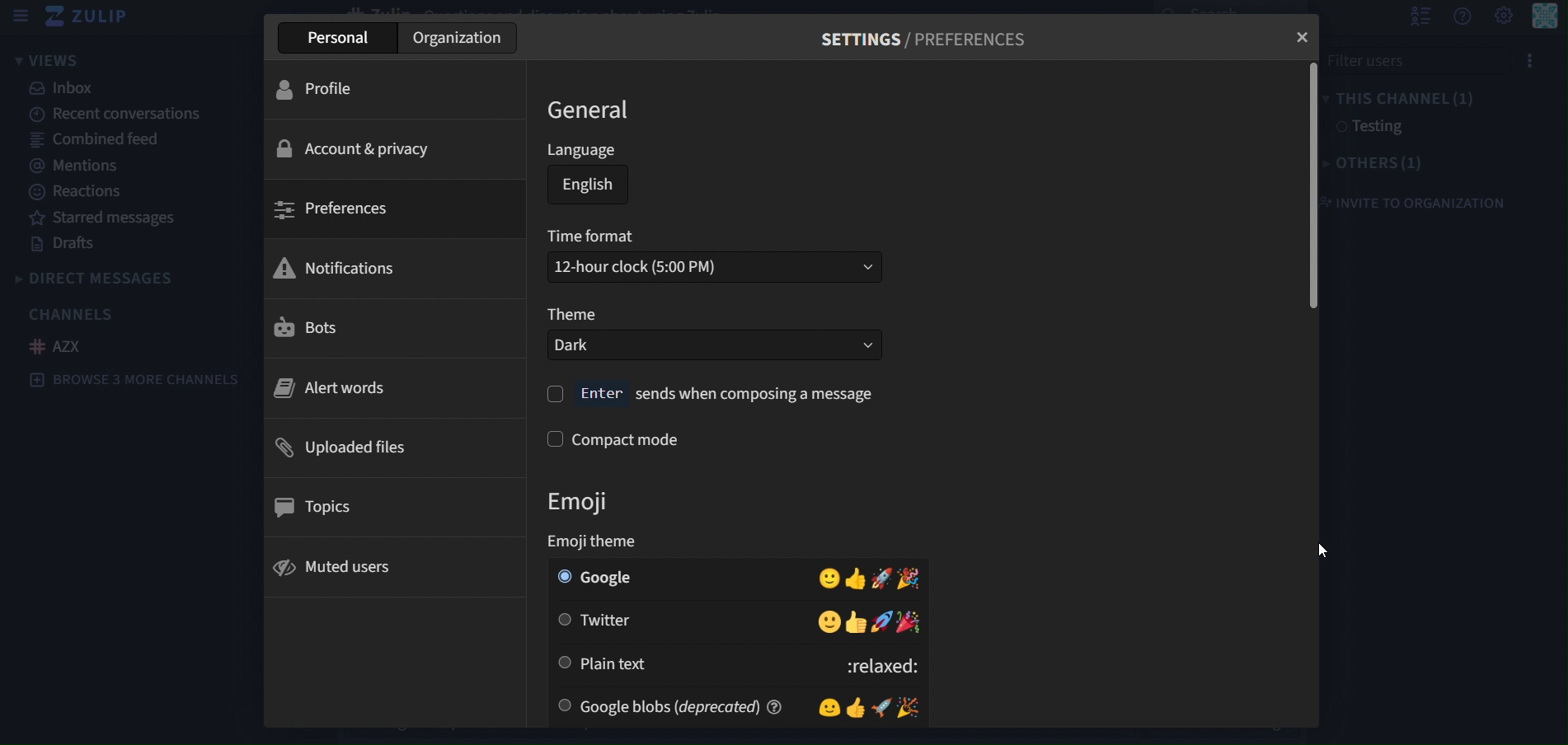  What do you see at coordinates (340, 565) in the screenshot?
I see `muted users` at bounding box center [340, 565].